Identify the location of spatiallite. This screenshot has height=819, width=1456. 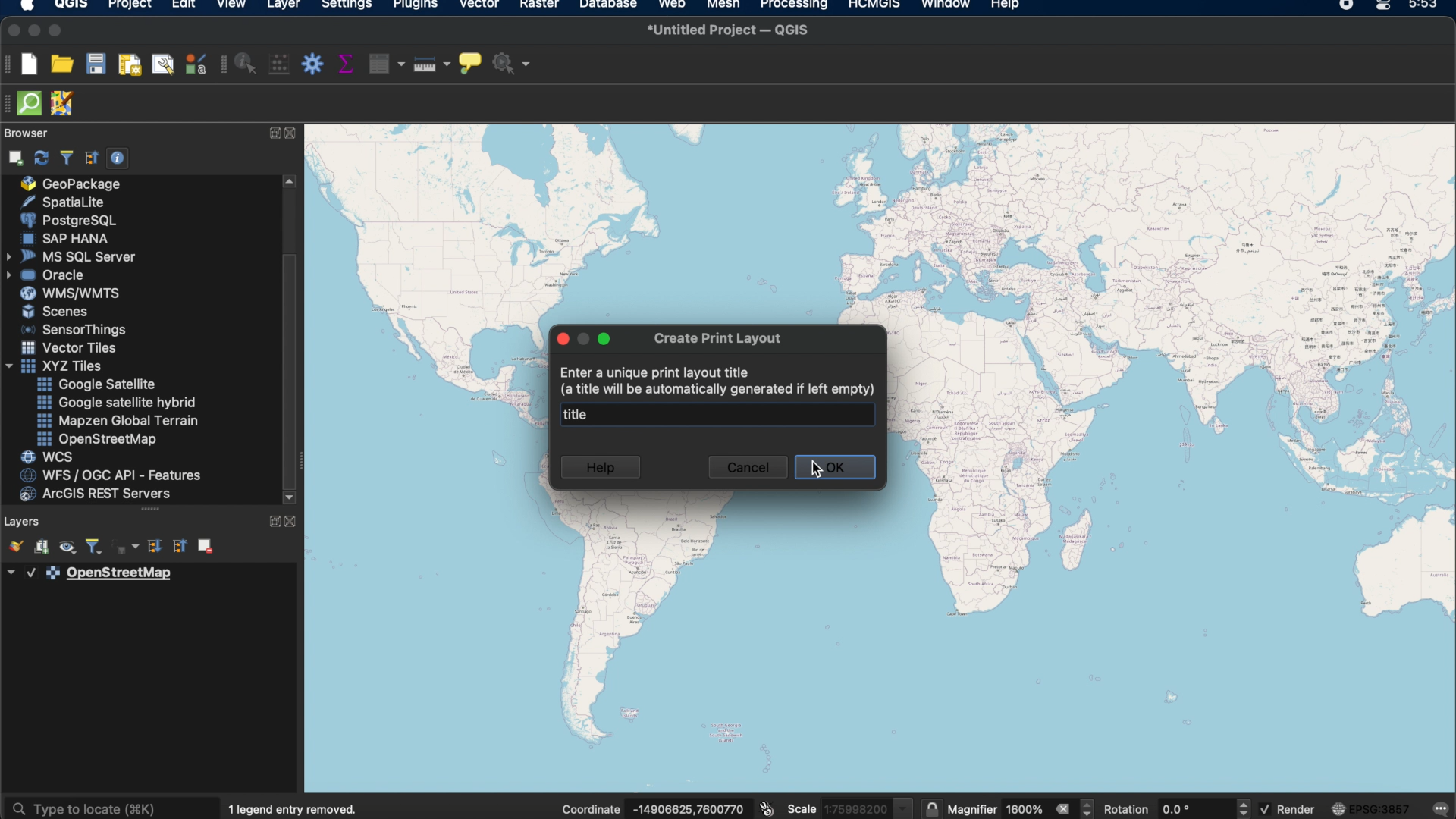
(67, 202).